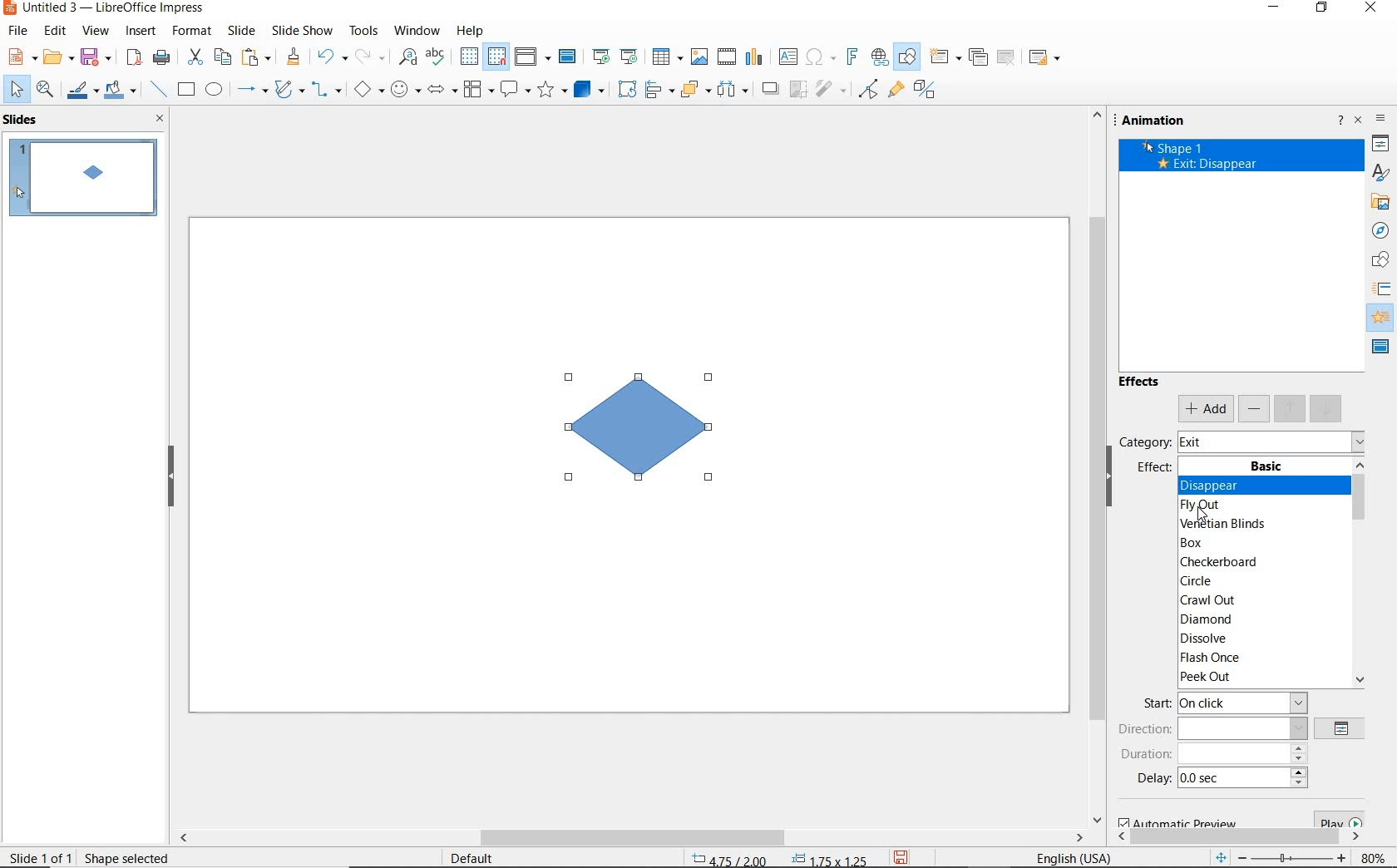 The width and height of the screenshot is (1397, 868). I want to click on delete slides, so click(1007, 57).